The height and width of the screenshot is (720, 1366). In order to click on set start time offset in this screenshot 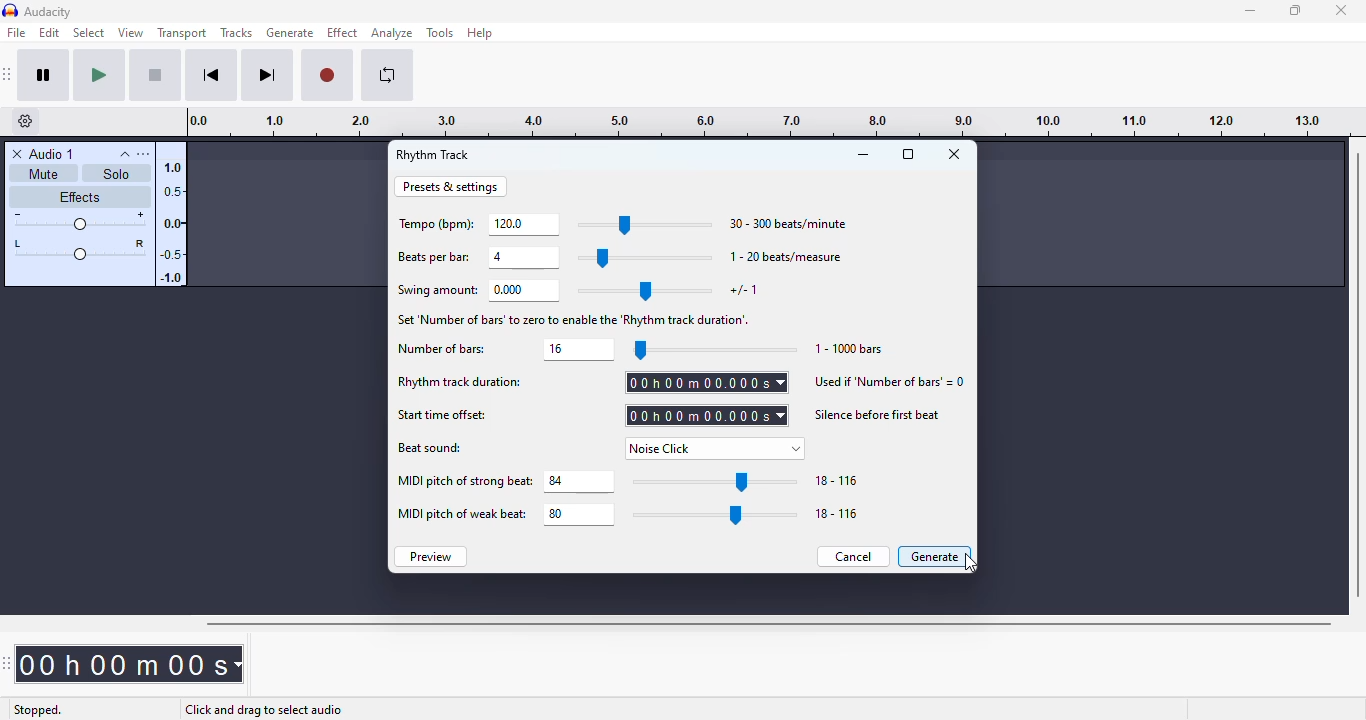, I will do `click(706, 415)`.